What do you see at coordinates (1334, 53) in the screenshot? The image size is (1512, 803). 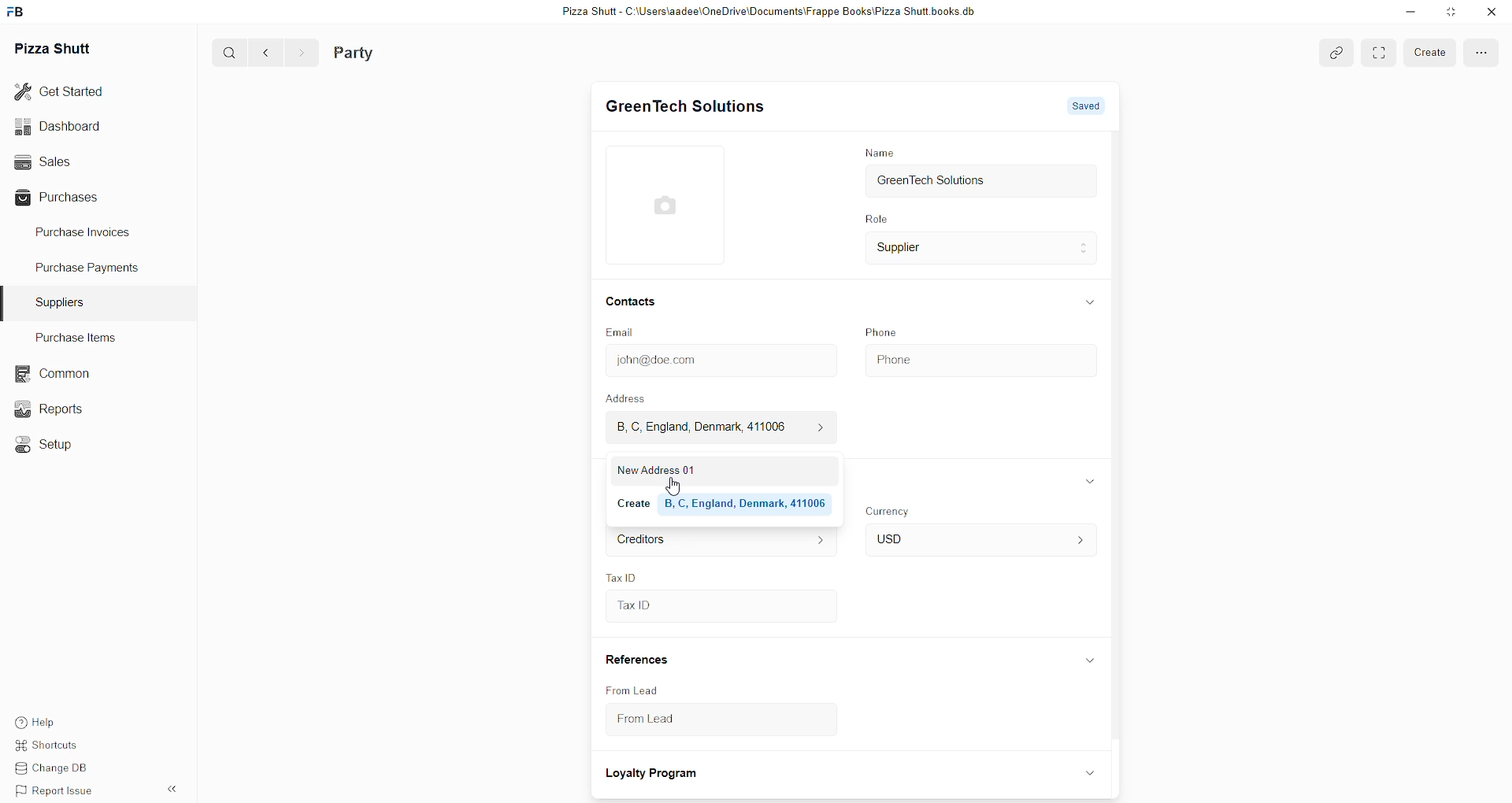 I see `link` at bounding box center [1334, 53].